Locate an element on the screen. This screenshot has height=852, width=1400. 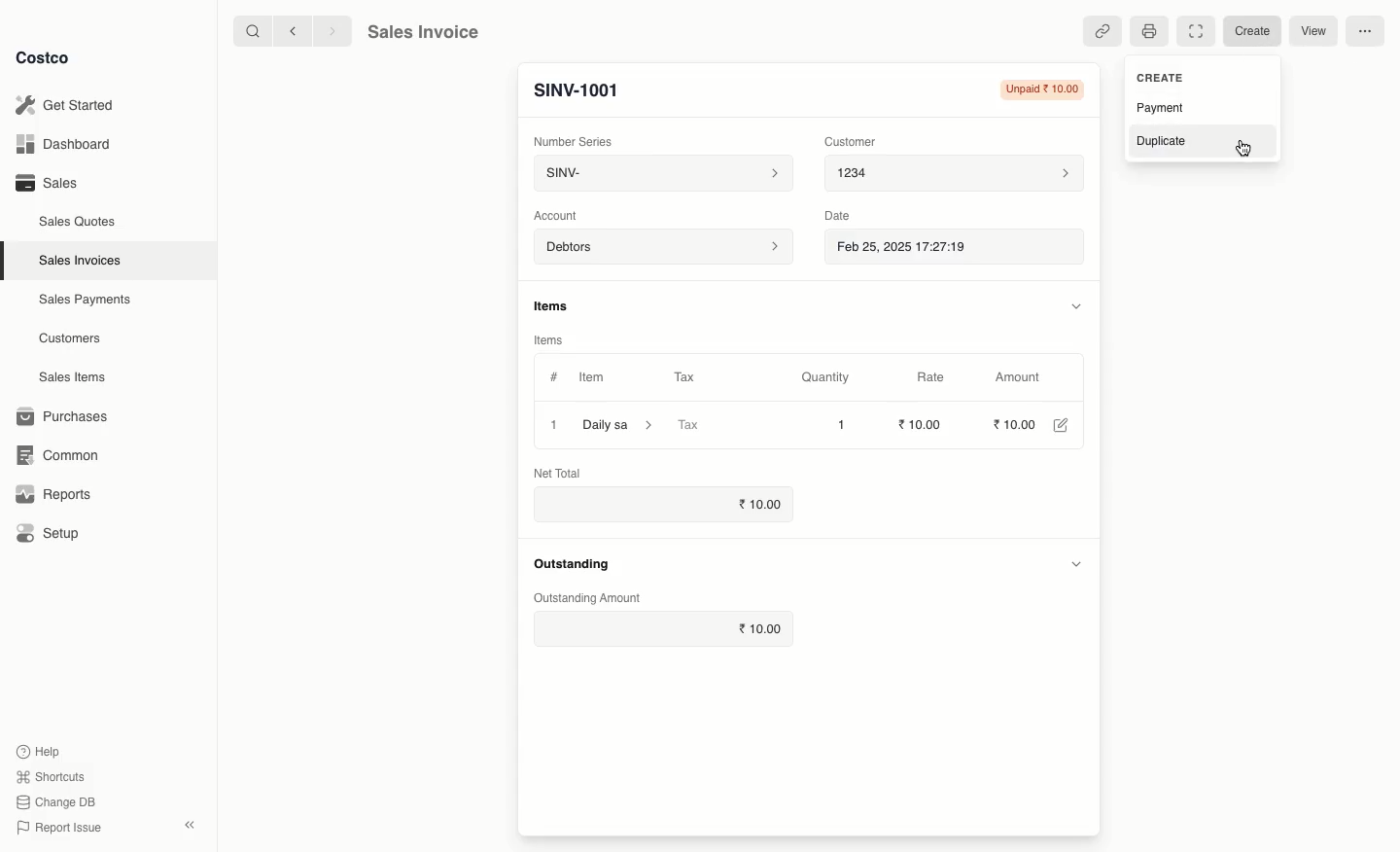
Debtors is located at coordinates (662, 248).